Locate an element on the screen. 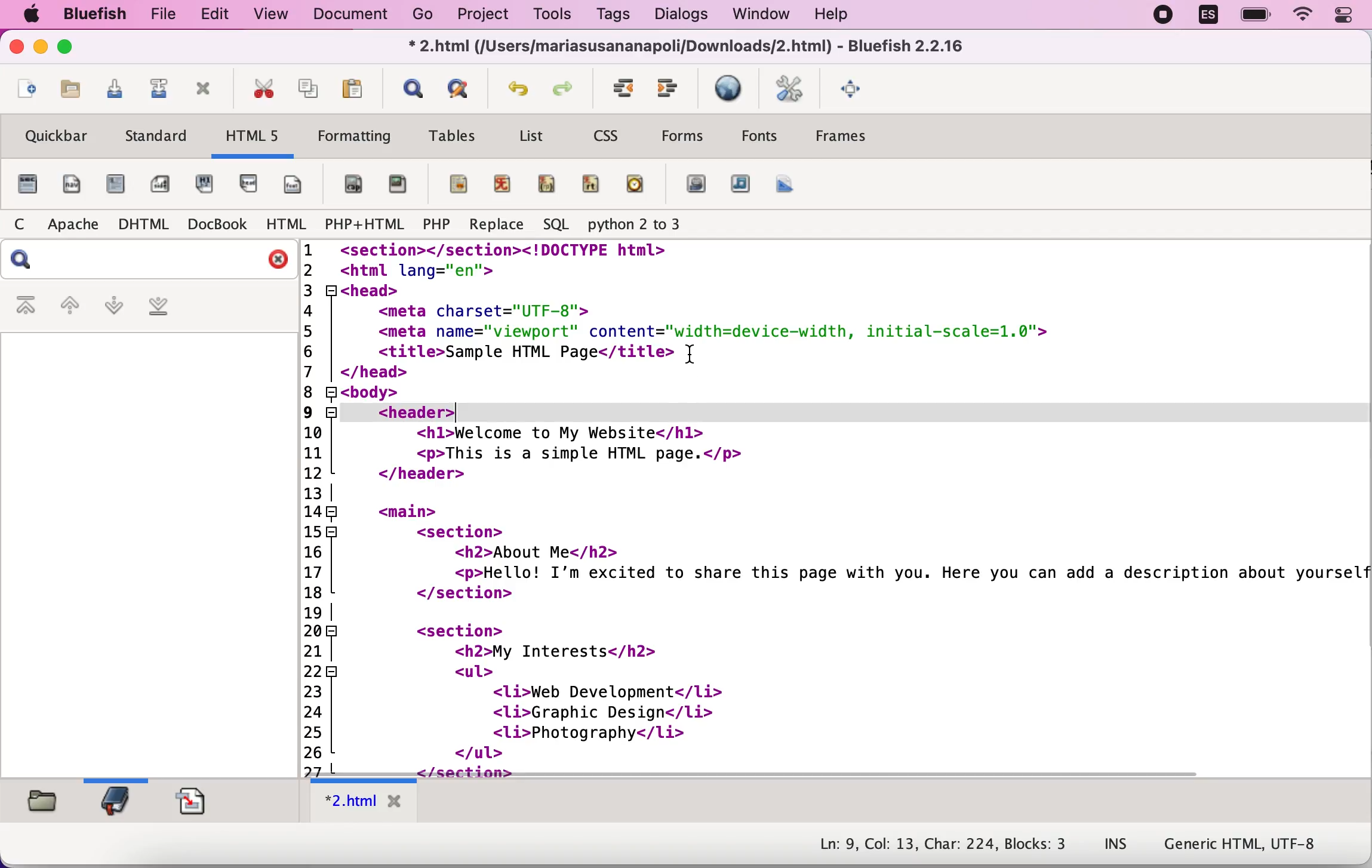 This screenshot has width=1372, height=868. article is located at coordinates (118, 186).